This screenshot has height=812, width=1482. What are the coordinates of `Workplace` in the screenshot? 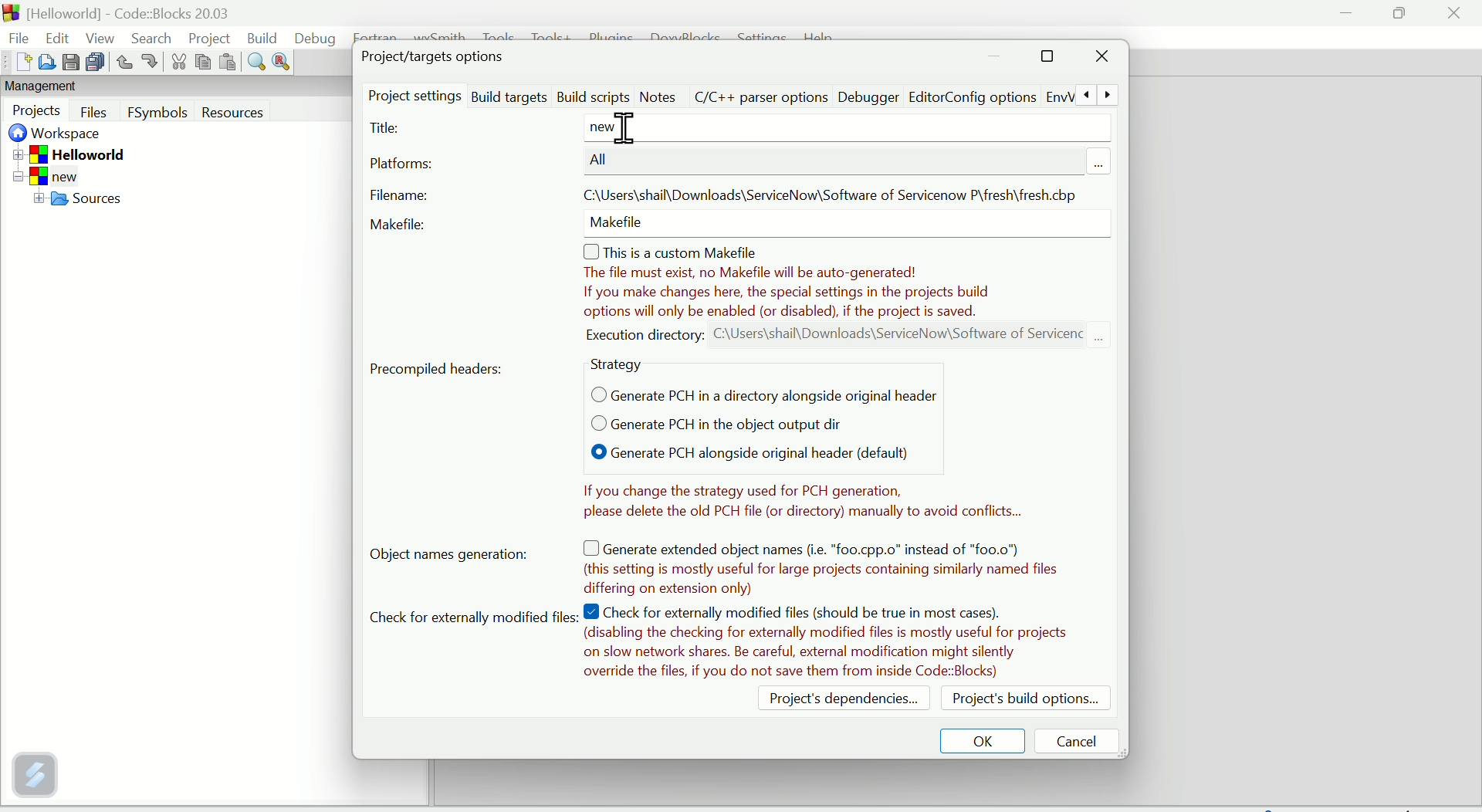 It's located at (60, 135).